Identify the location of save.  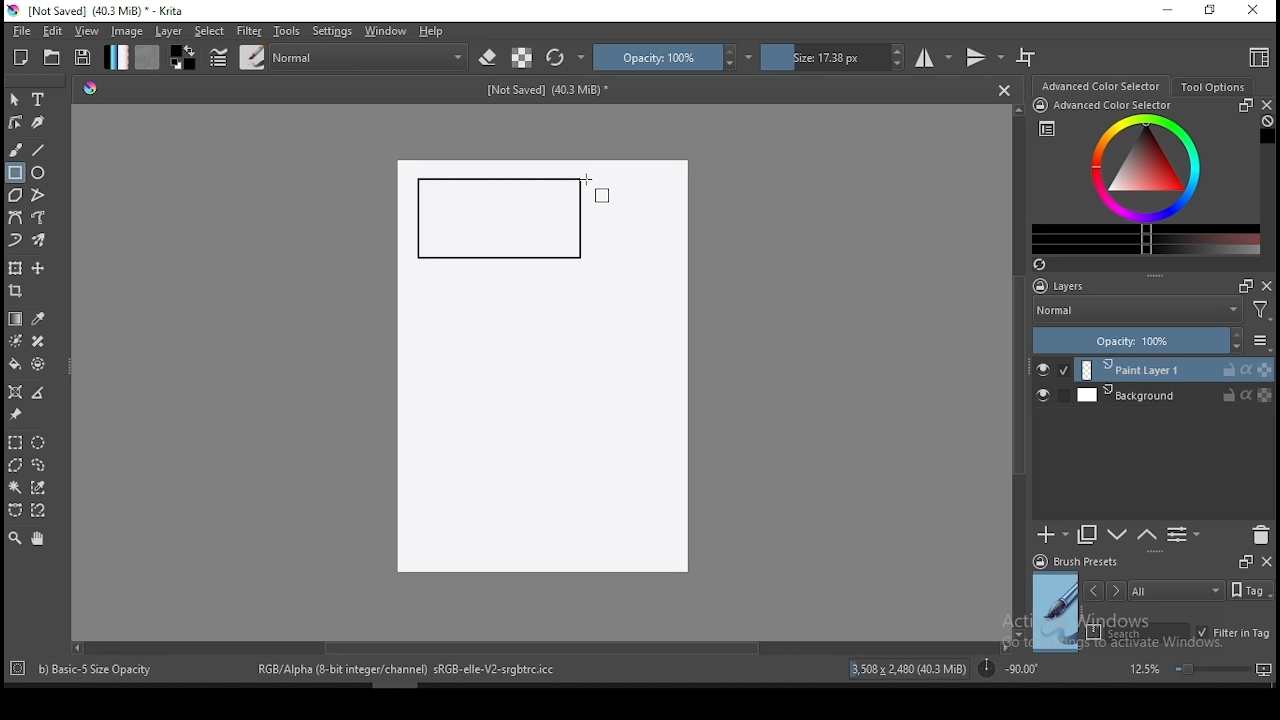
(83, 58).